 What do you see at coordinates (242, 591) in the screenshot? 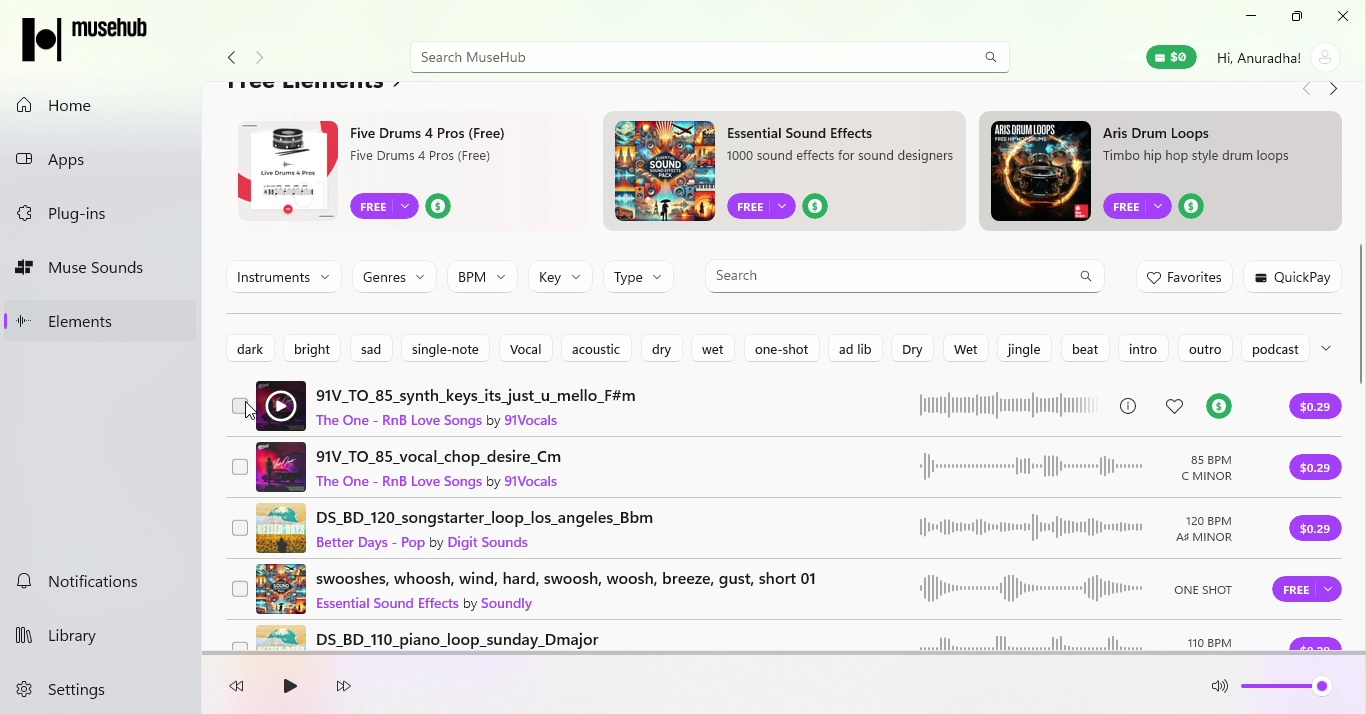
I see `Select music` at bounding box center [242, 591].